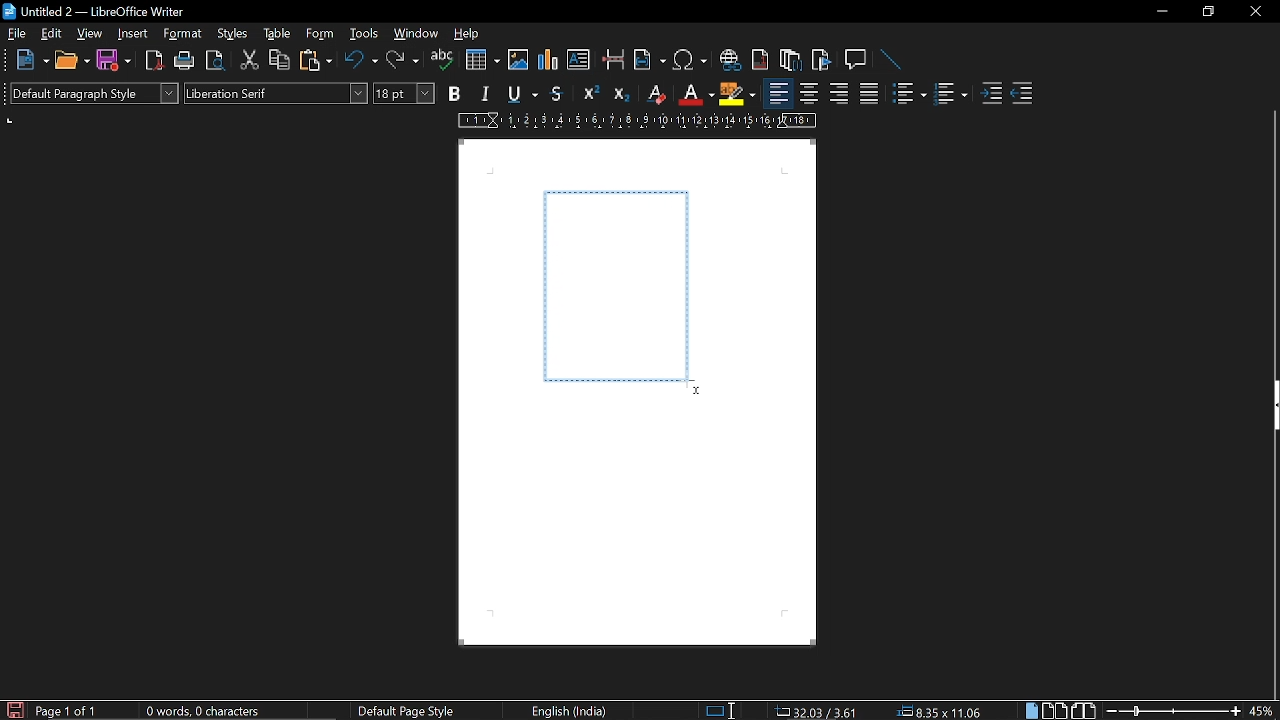  What do you see at coordinates (654, 94) in the screenshot?
I see `eraser` at bounding box center [654, 94].